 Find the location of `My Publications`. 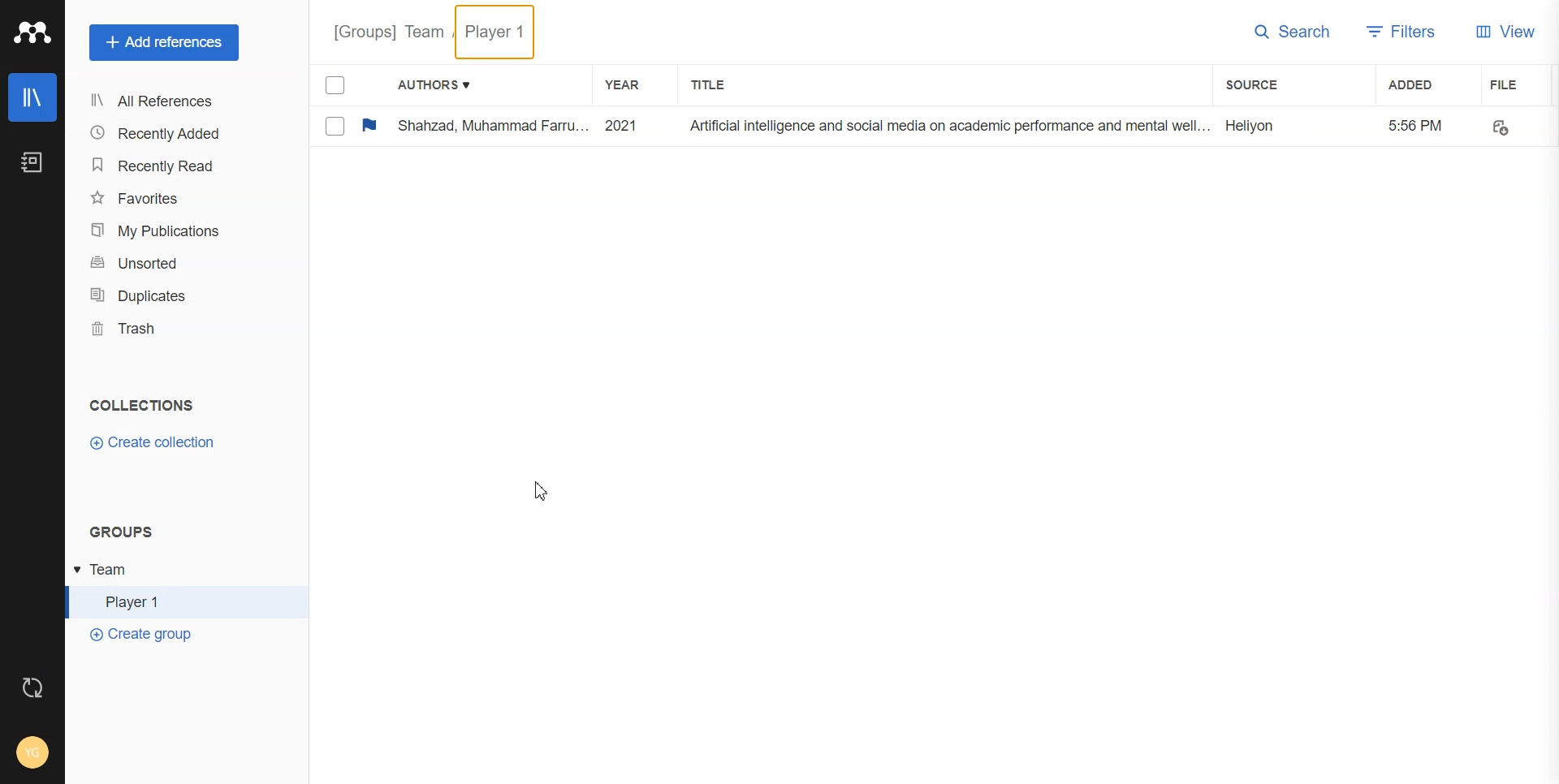

My Publications is located at coordinates (165, 230).